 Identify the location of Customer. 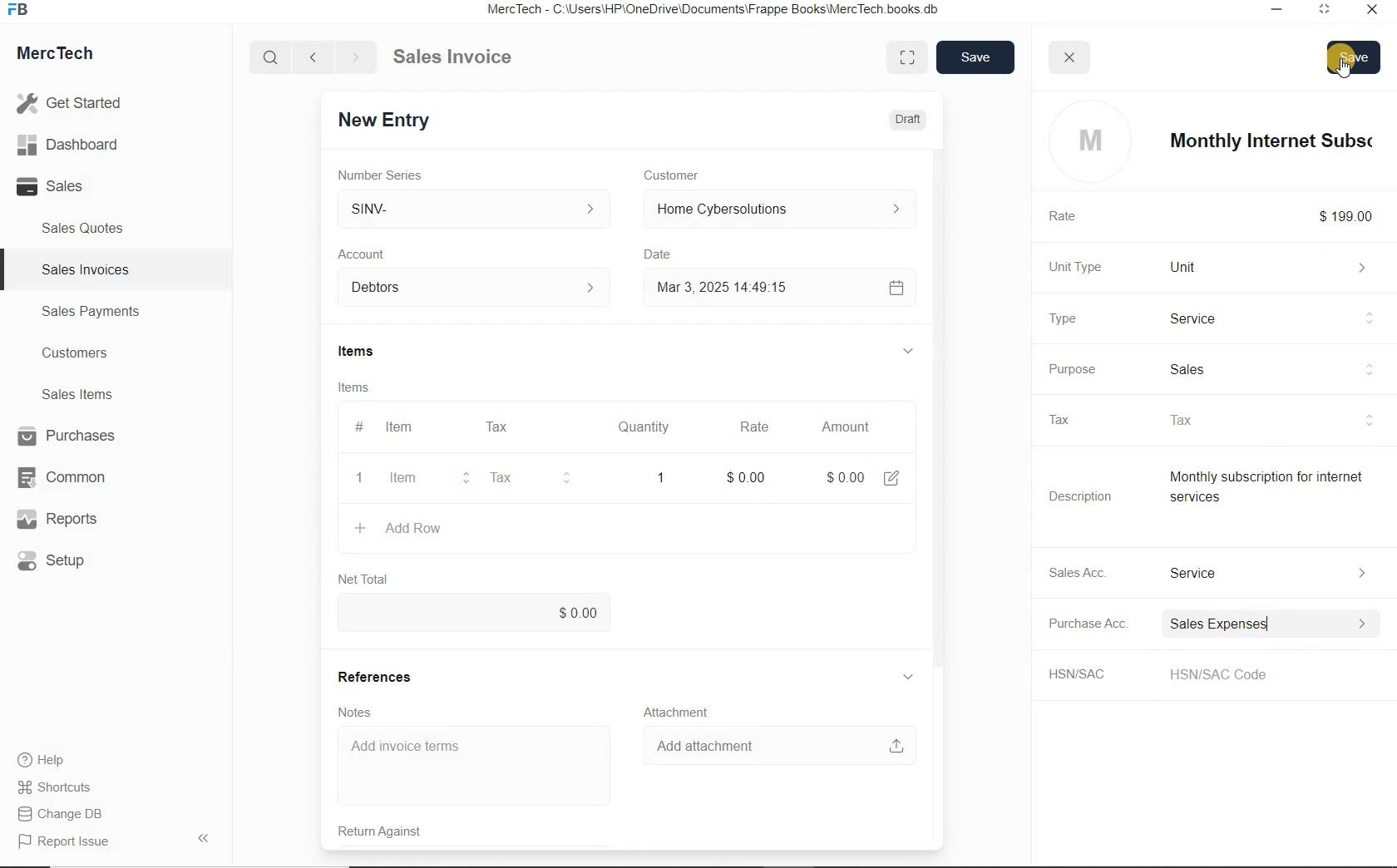
(680, 175).